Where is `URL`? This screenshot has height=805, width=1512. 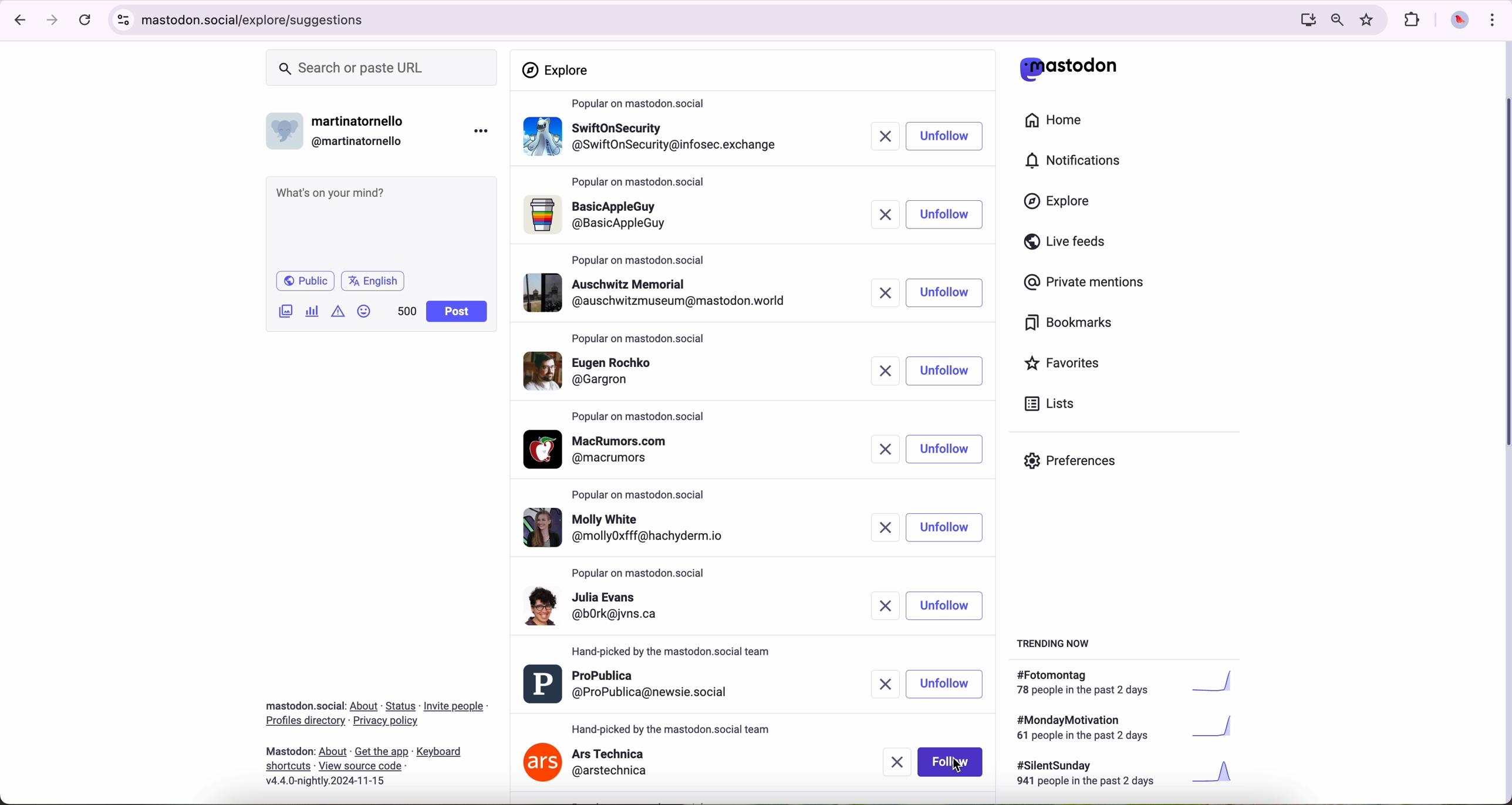 URL is located at coordinates (258, 18).